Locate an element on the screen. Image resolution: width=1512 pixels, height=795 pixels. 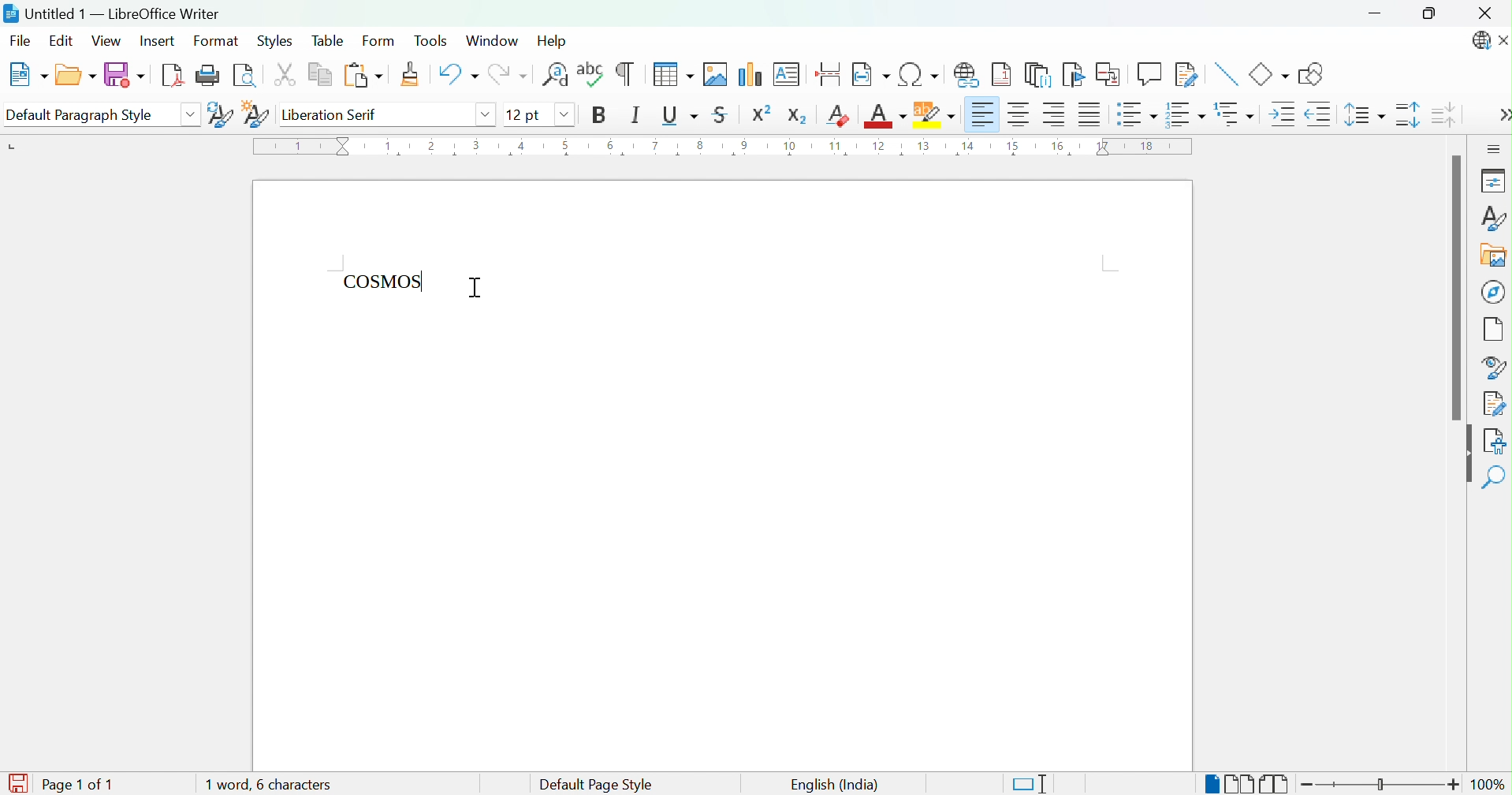
Tools is located at coordinates (433, 39).